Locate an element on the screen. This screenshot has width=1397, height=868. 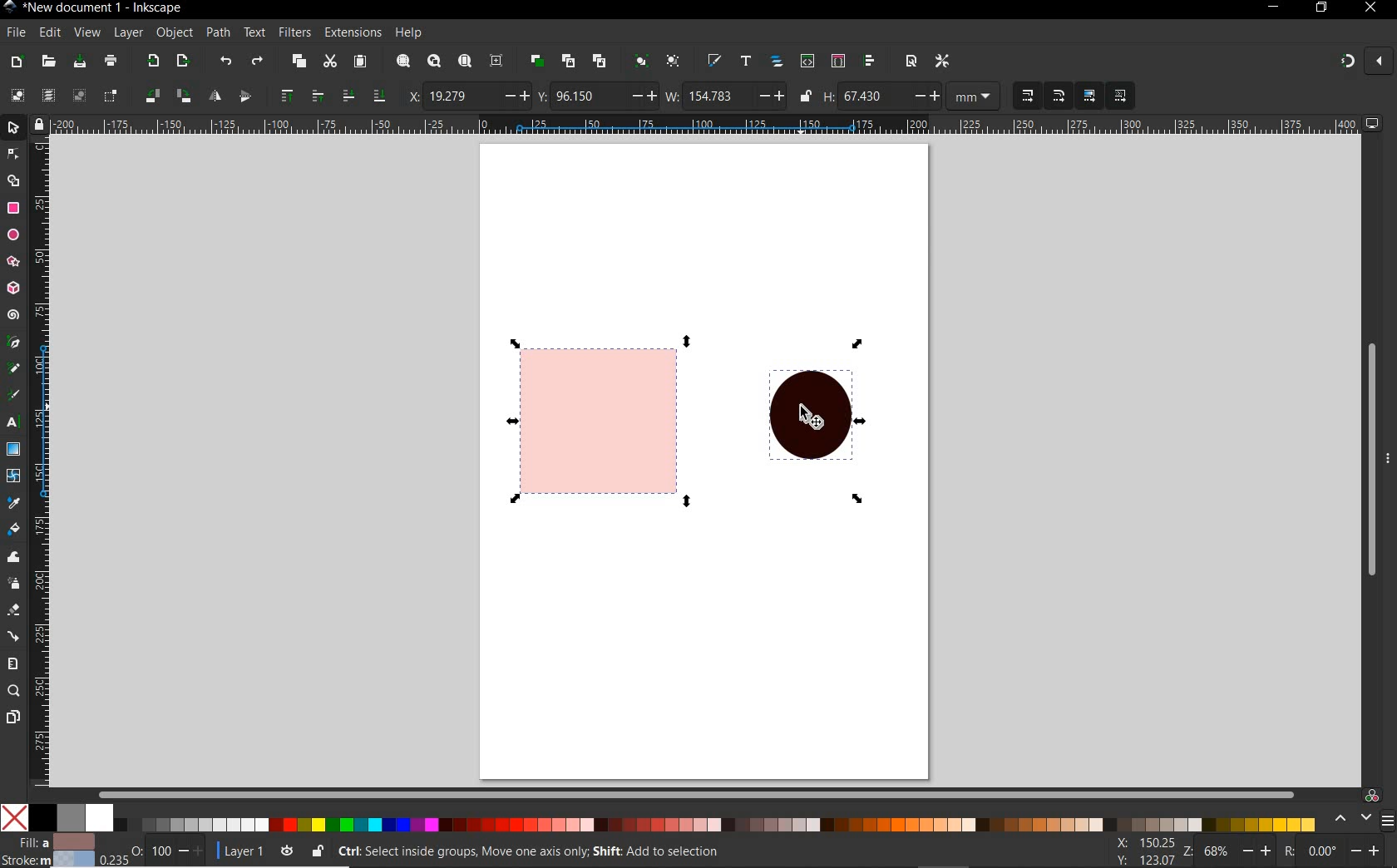
width selection is located at coordinates (726, 97).